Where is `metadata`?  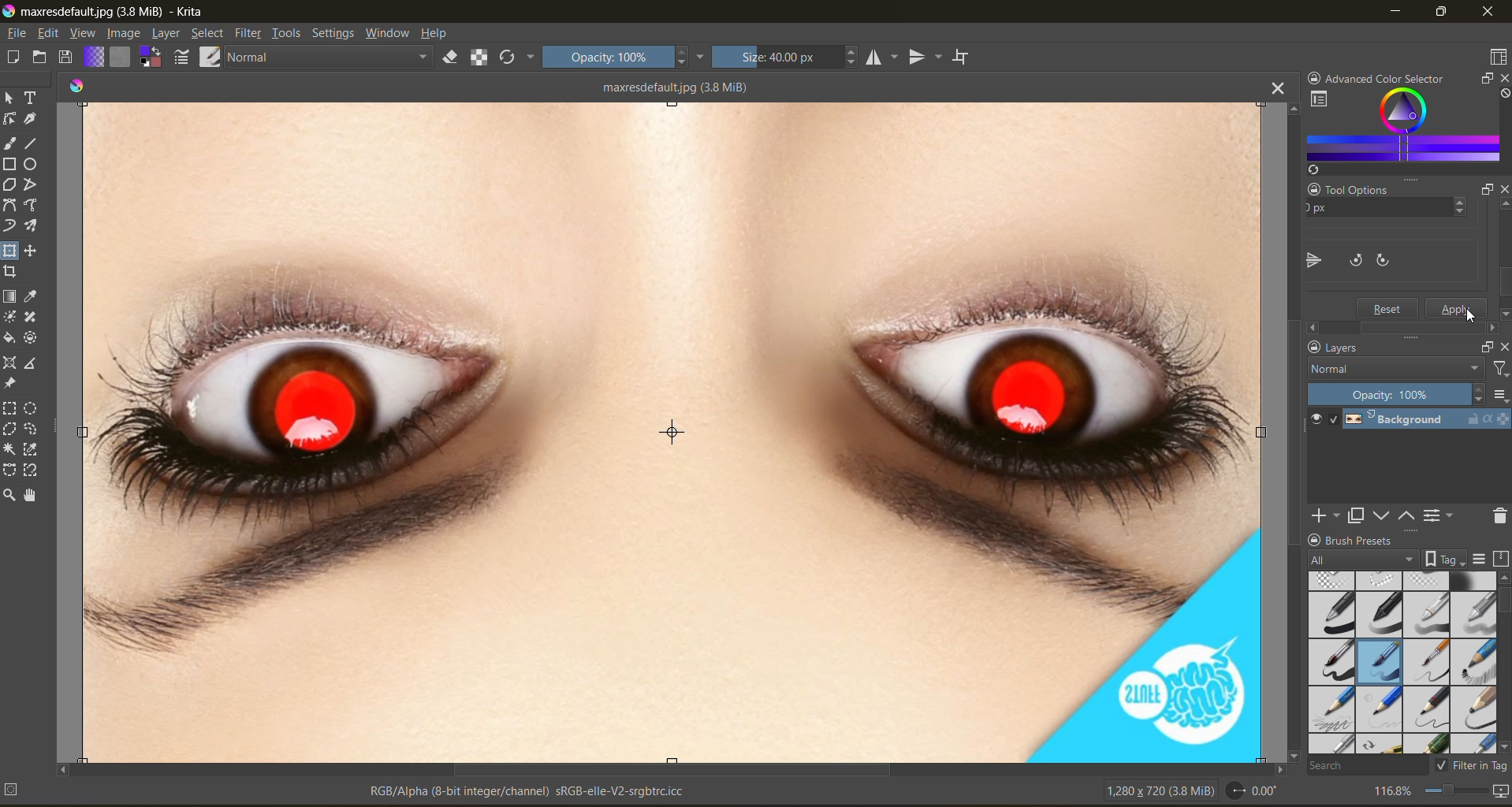
metadata is located at coordinates (348, 793).